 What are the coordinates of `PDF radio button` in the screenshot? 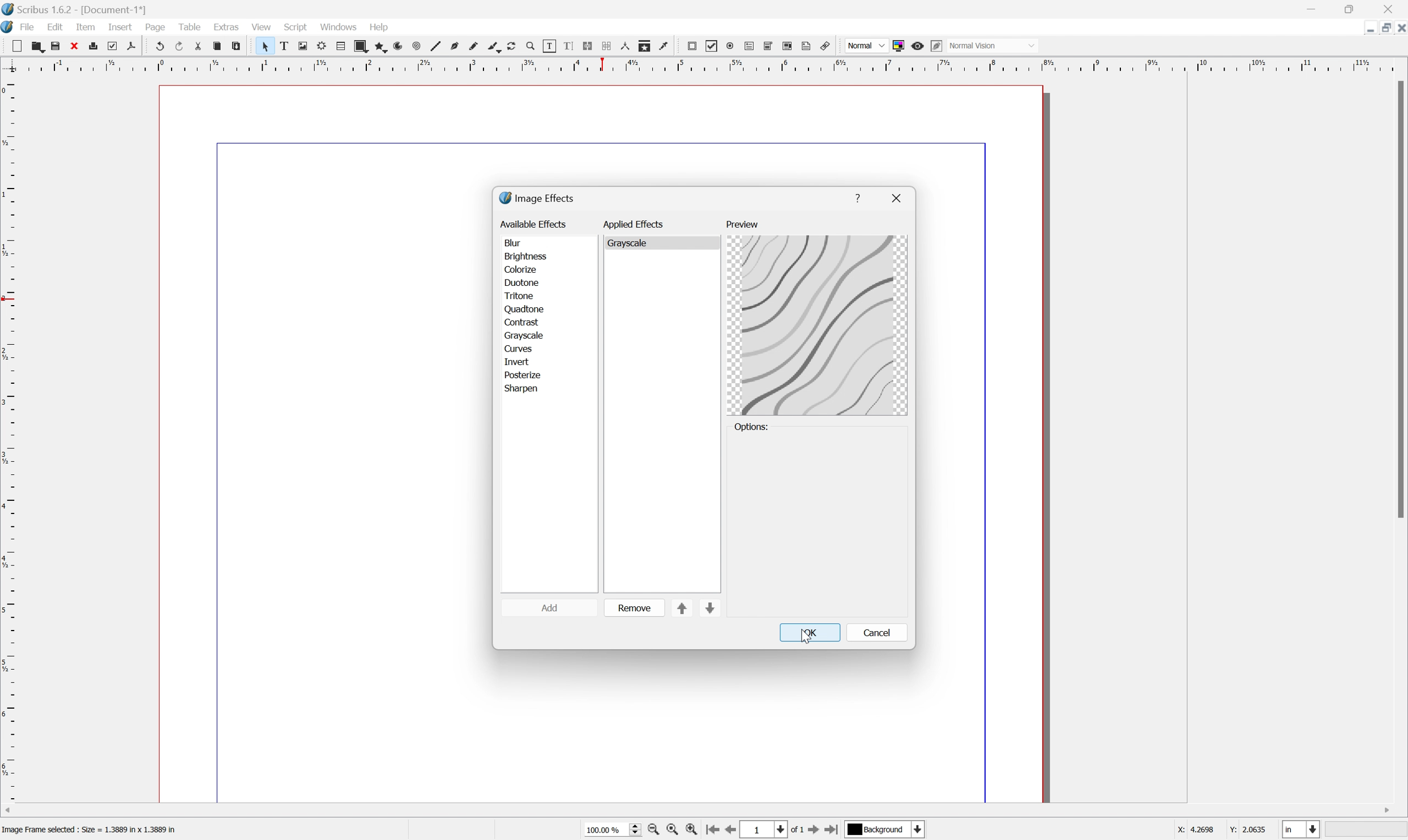 It's located at (731, 45).